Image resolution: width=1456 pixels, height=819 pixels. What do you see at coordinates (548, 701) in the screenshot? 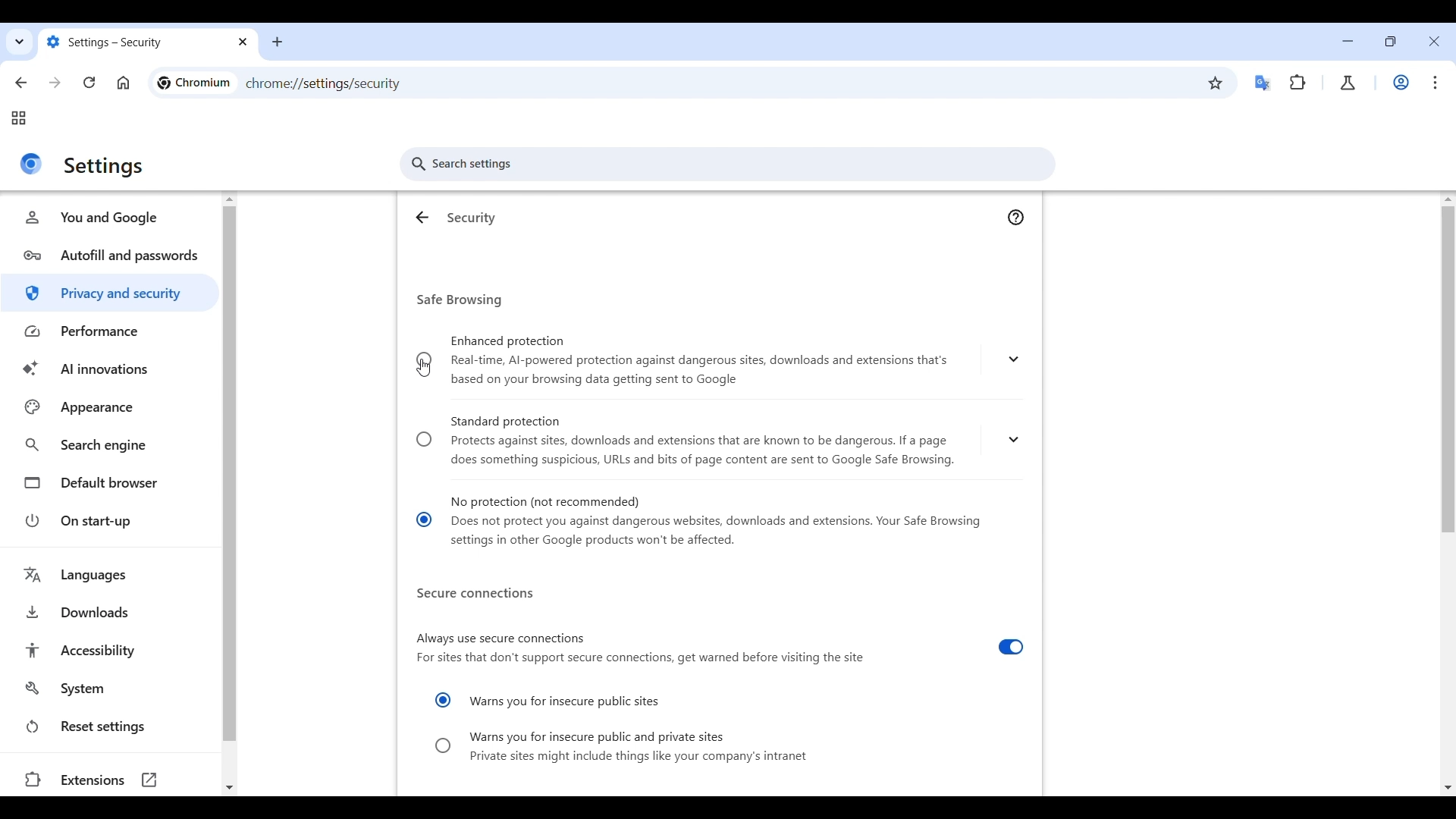
I see `Warns you for insecure public sites` at bounding box center [548, 701].